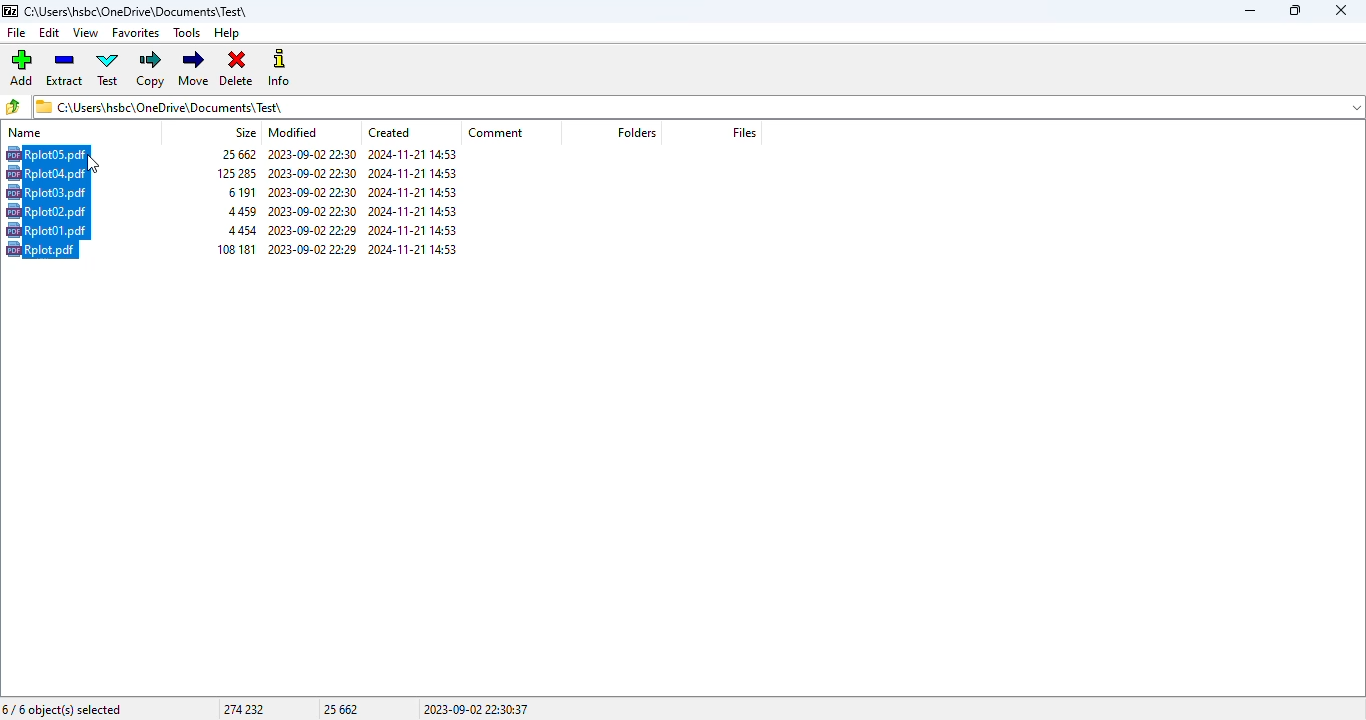  Describe the element at coordinates (312, 154) in the screenshot. I see `modified date and time` at that location.